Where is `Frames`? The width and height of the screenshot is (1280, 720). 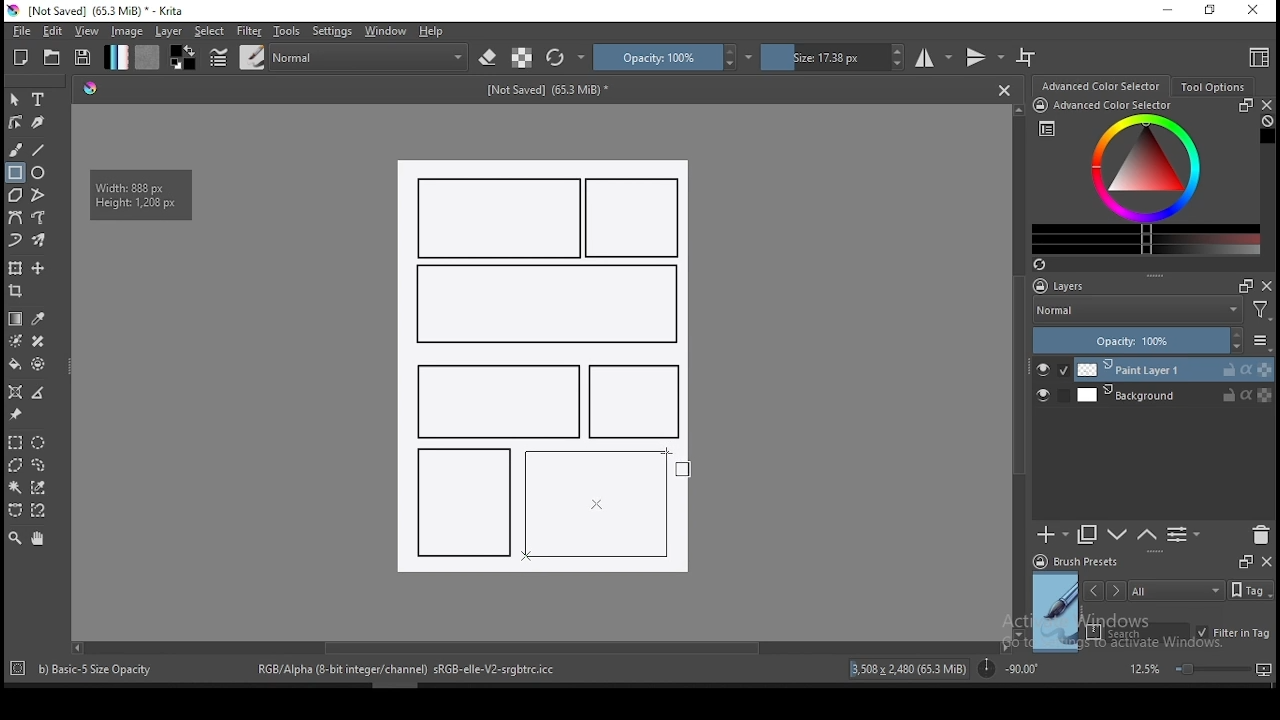 Frames is located at coordinates (1240, 285).